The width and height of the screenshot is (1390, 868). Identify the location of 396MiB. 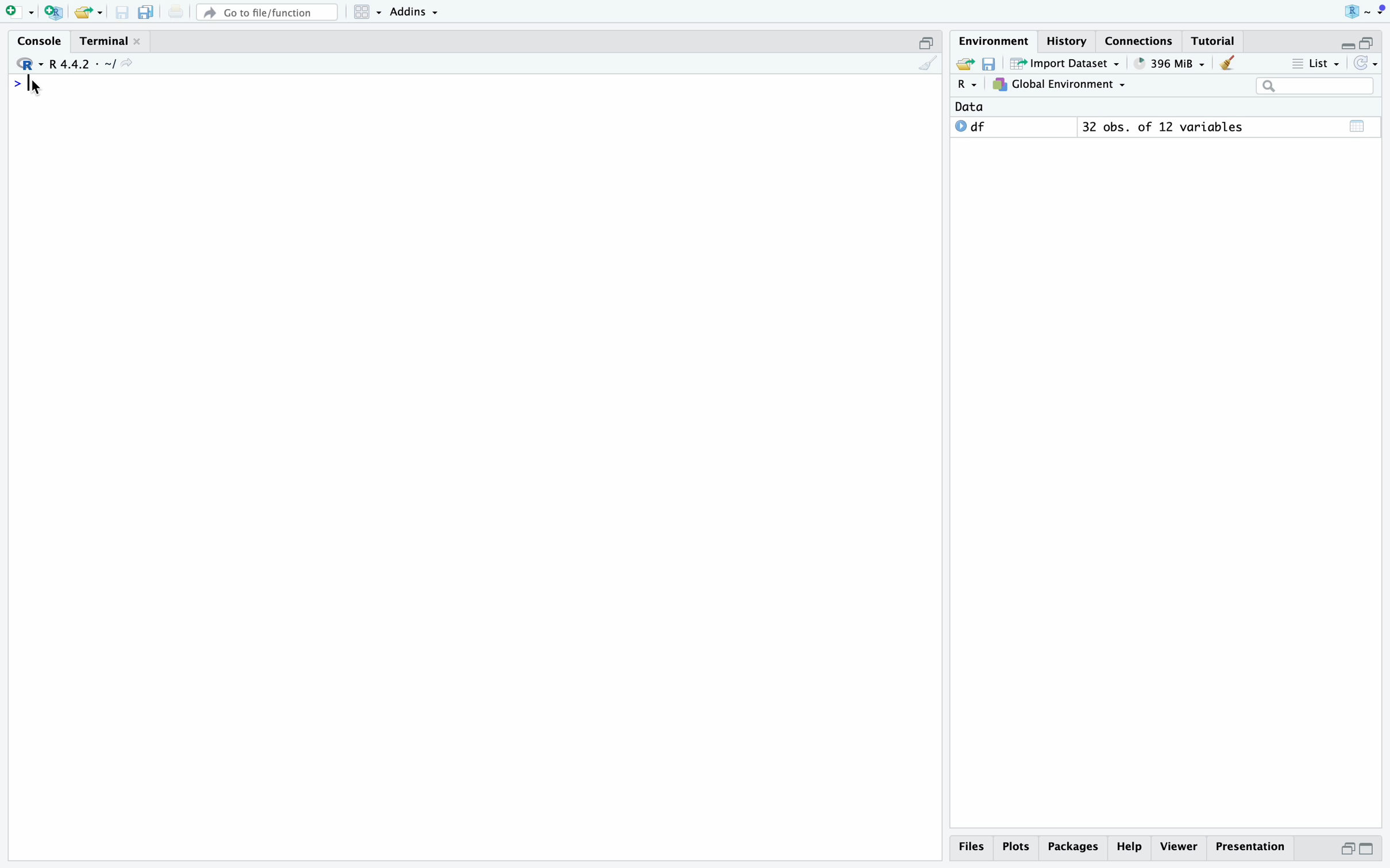
(1171, 64).